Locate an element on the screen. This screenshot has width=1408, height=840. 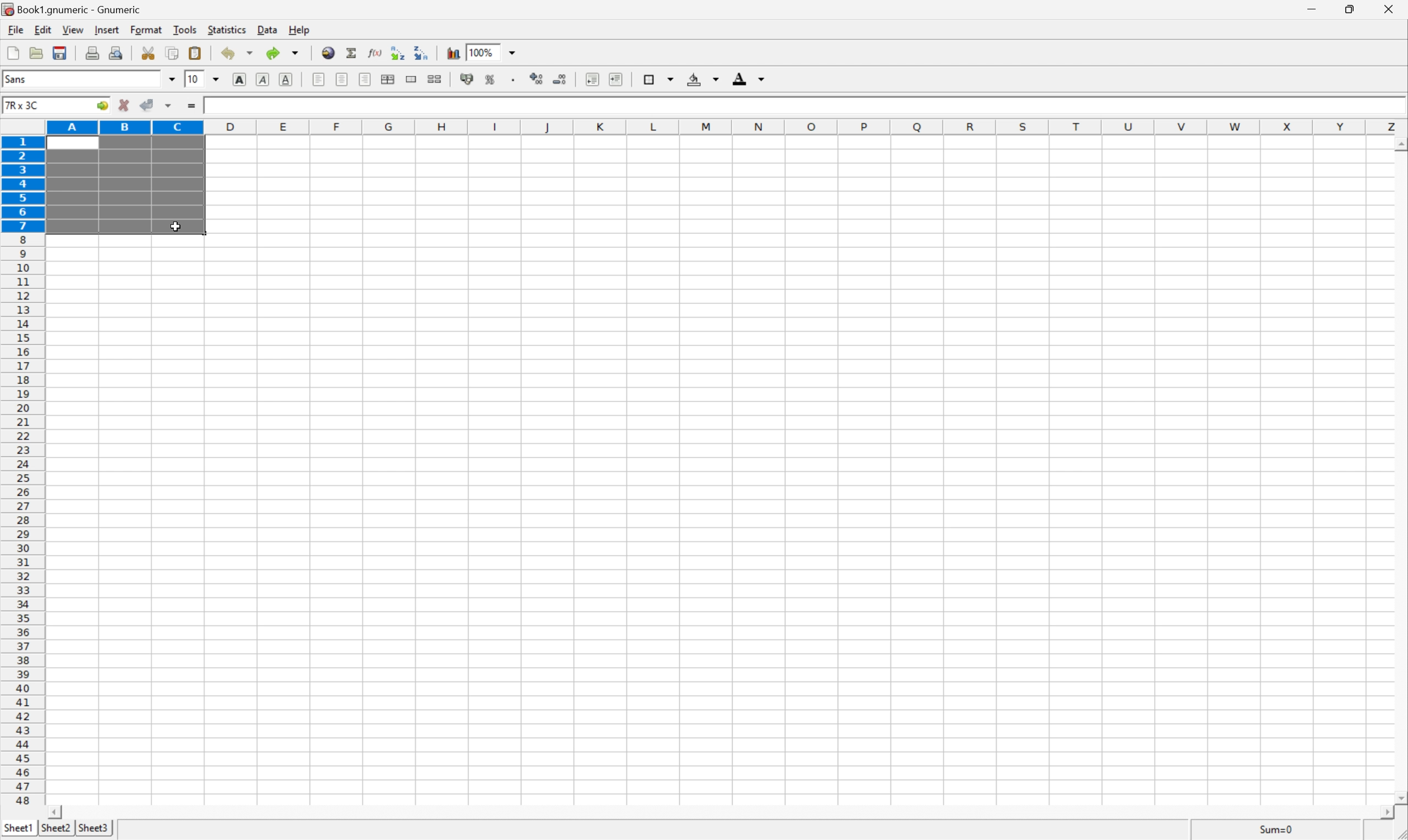
Font size 10 is located at coordinates (203, 80).